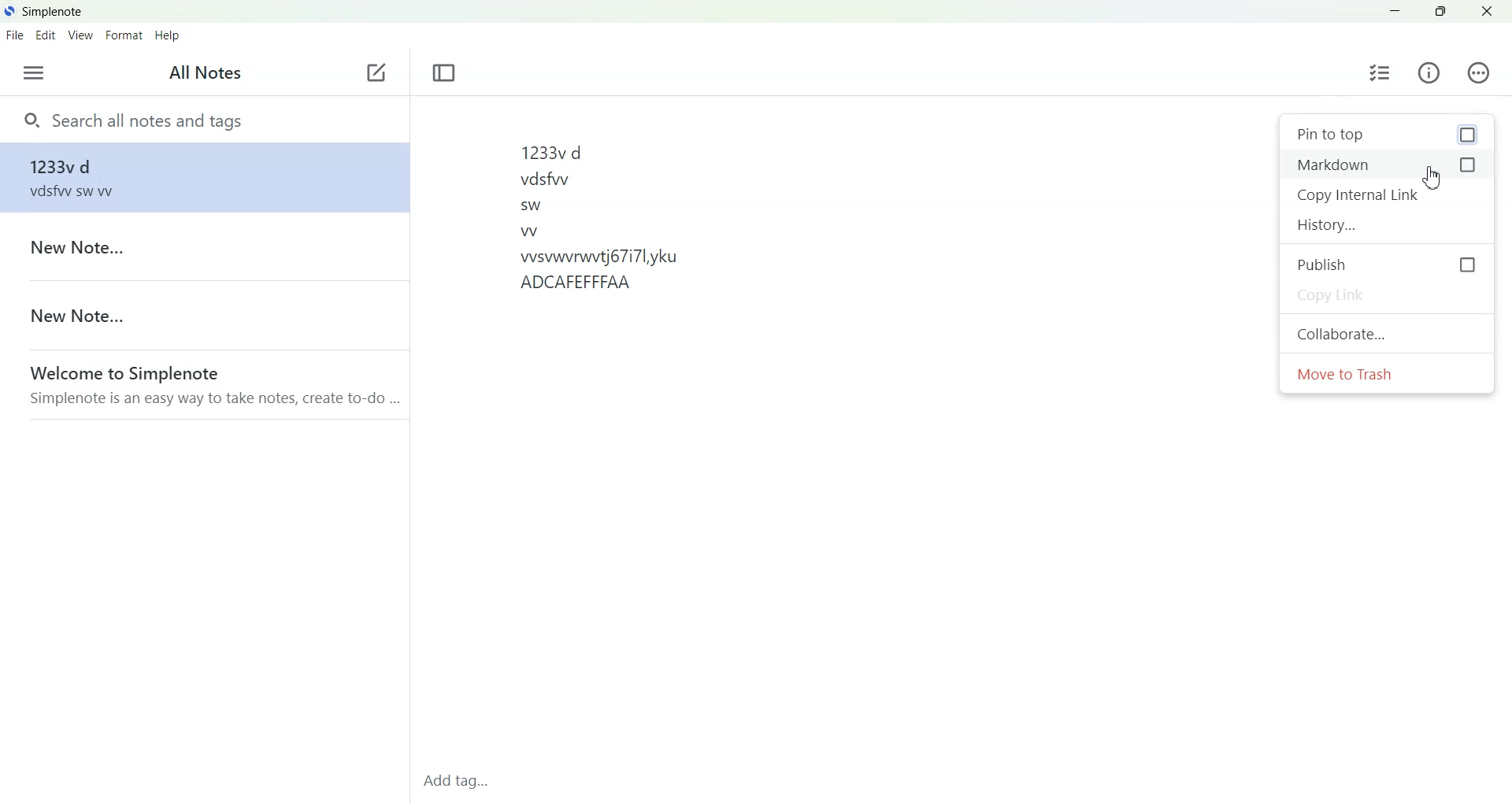  What do you see at coordinates (1387, 195) in the screenshot?
I see `Copy Internal link` at bounding box center [1387, 195].